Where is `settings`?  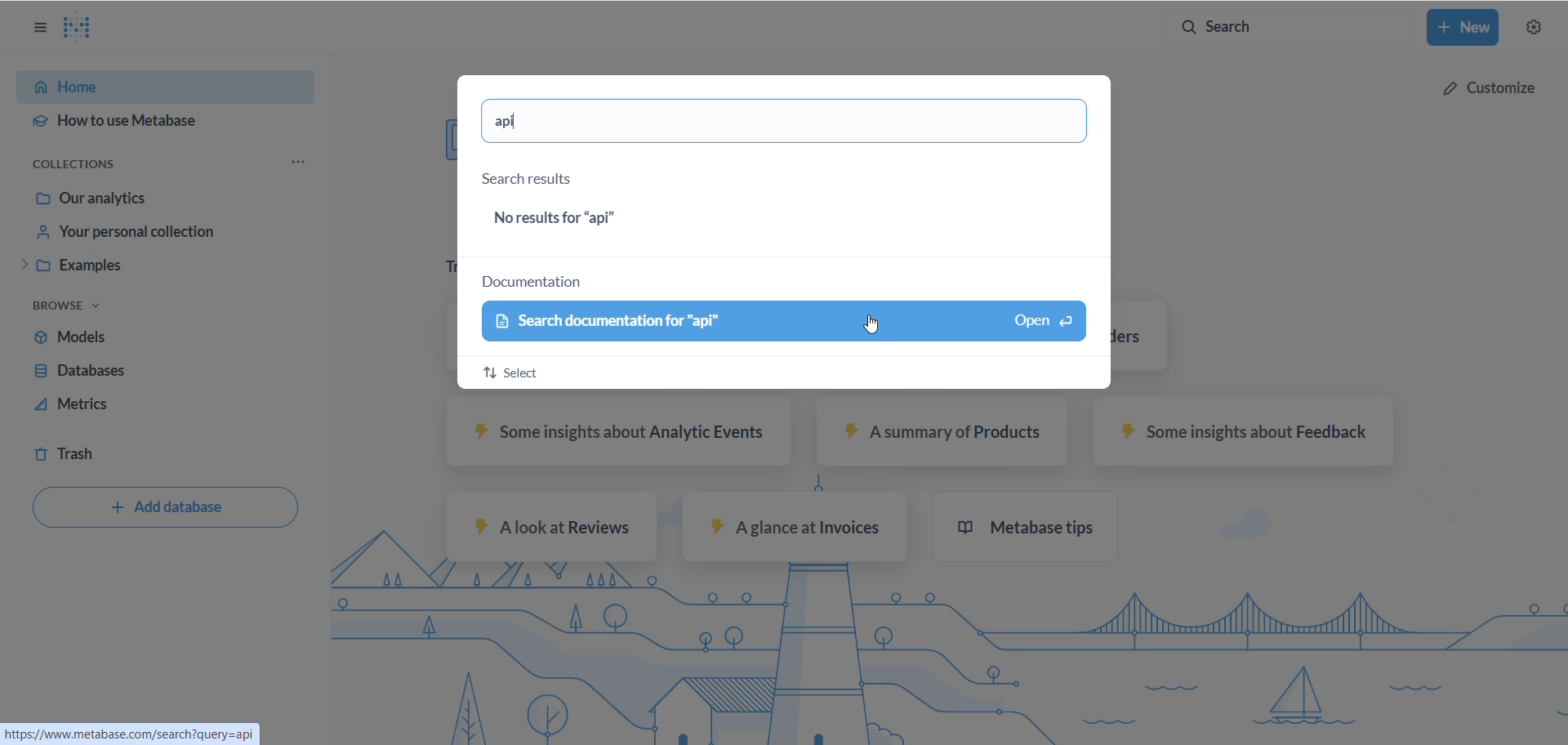
settings is located at coordinates (1535, 29).